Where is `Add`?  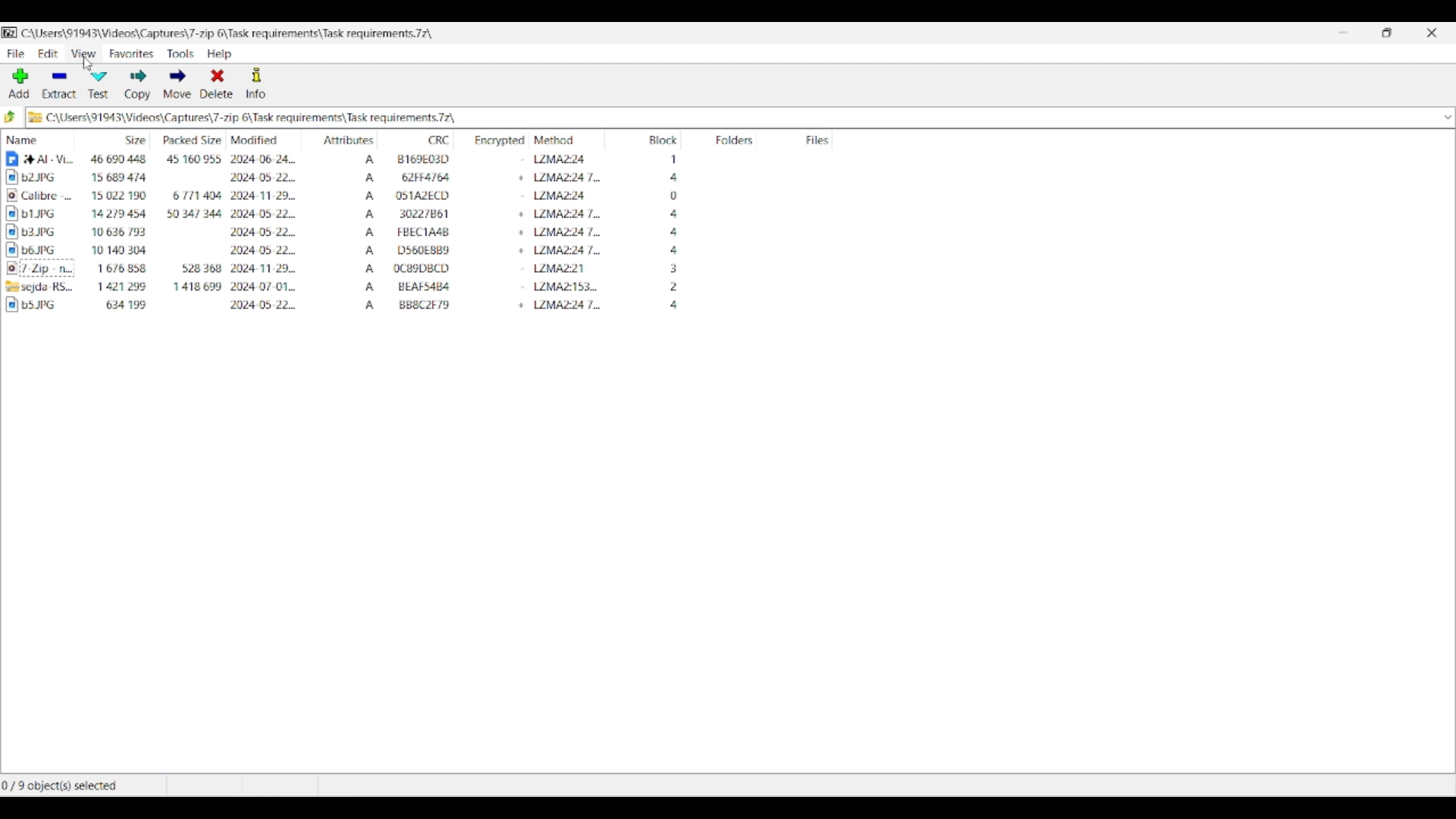 Add is located at coordinates (19, 83).